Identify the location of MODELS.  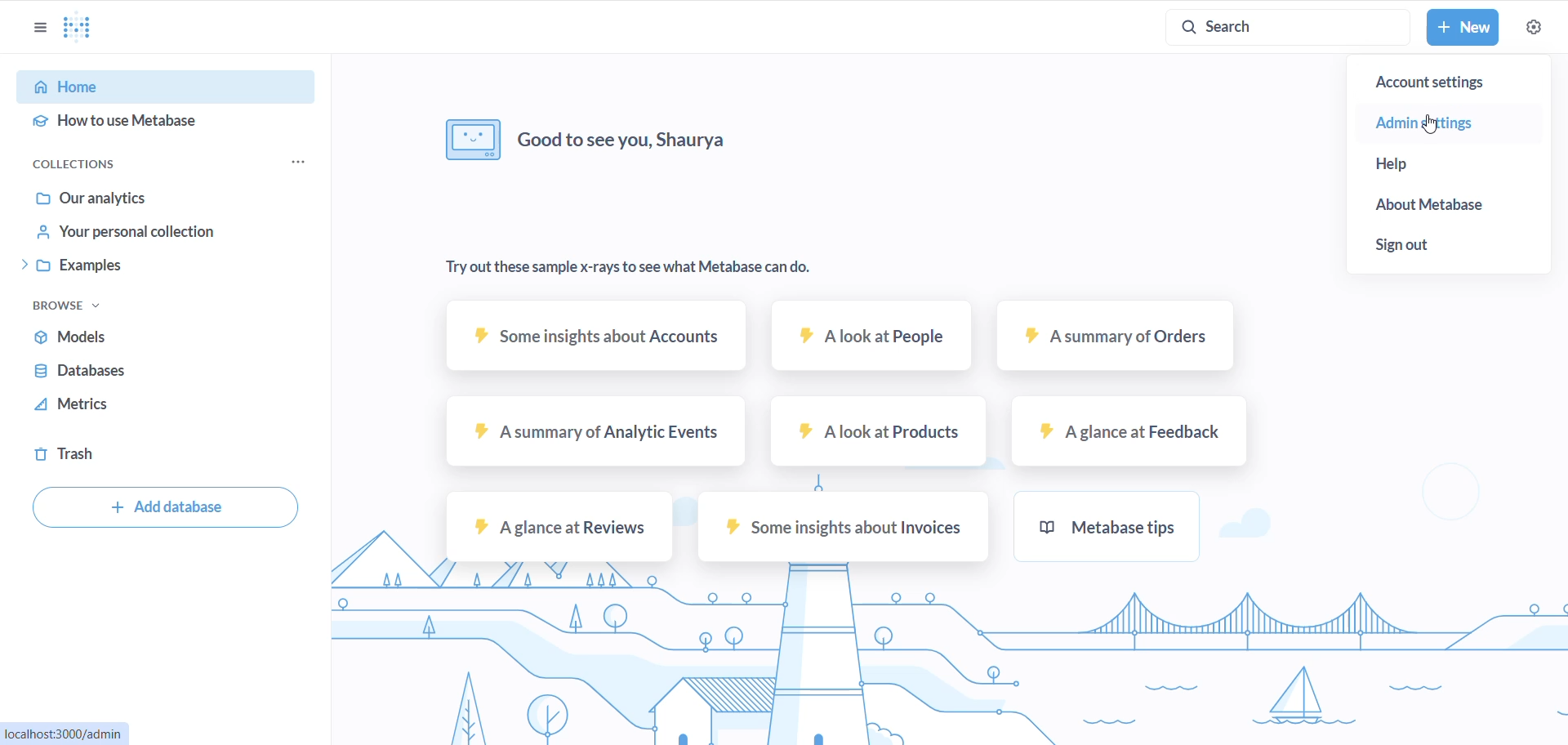
(170, 337).